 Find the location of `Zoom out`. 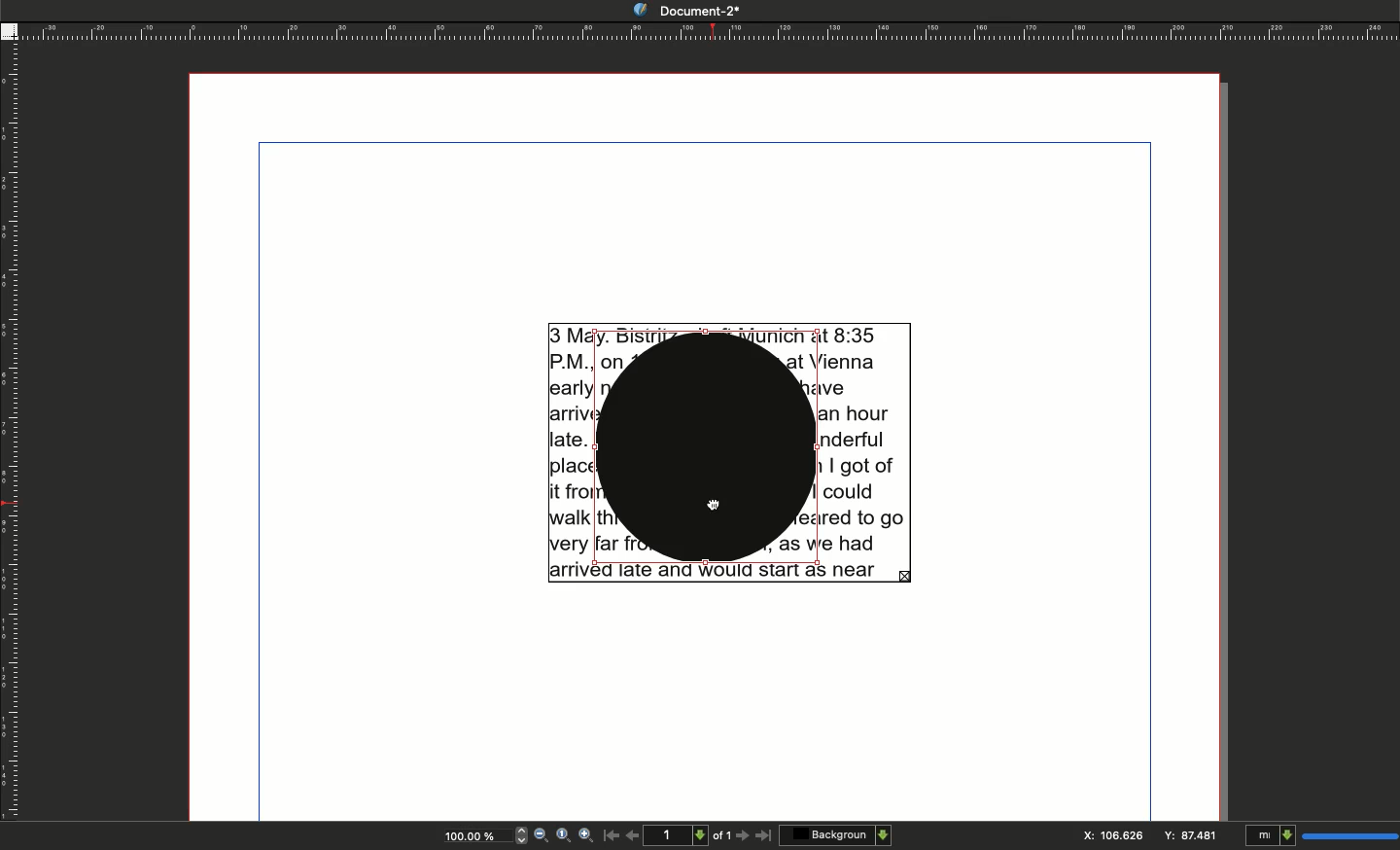

Zoom out is located at coordinates (542, 834).